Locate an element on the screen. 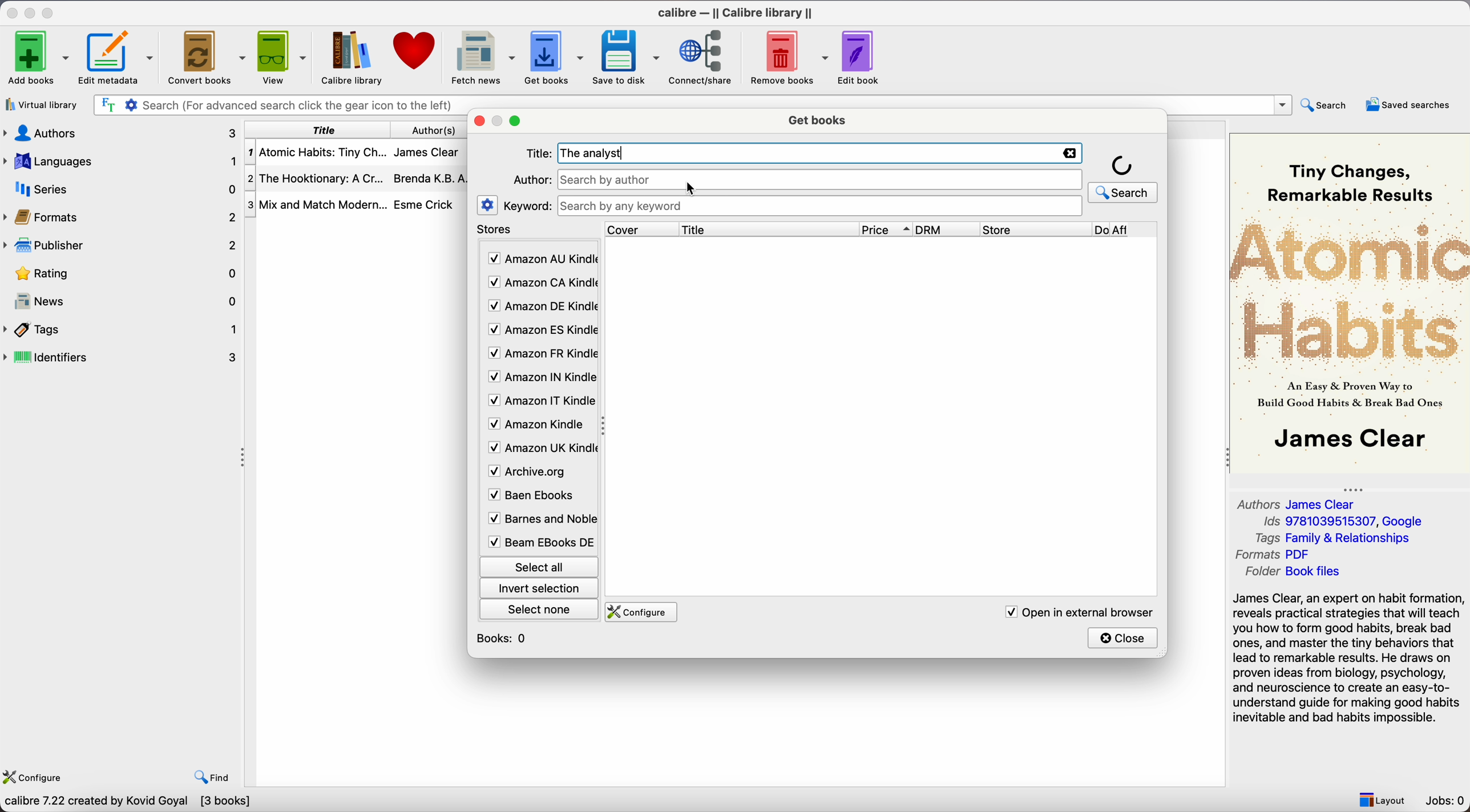 This screenshot has width=1470, height=812. convert books is located at coordinates (205, 56).